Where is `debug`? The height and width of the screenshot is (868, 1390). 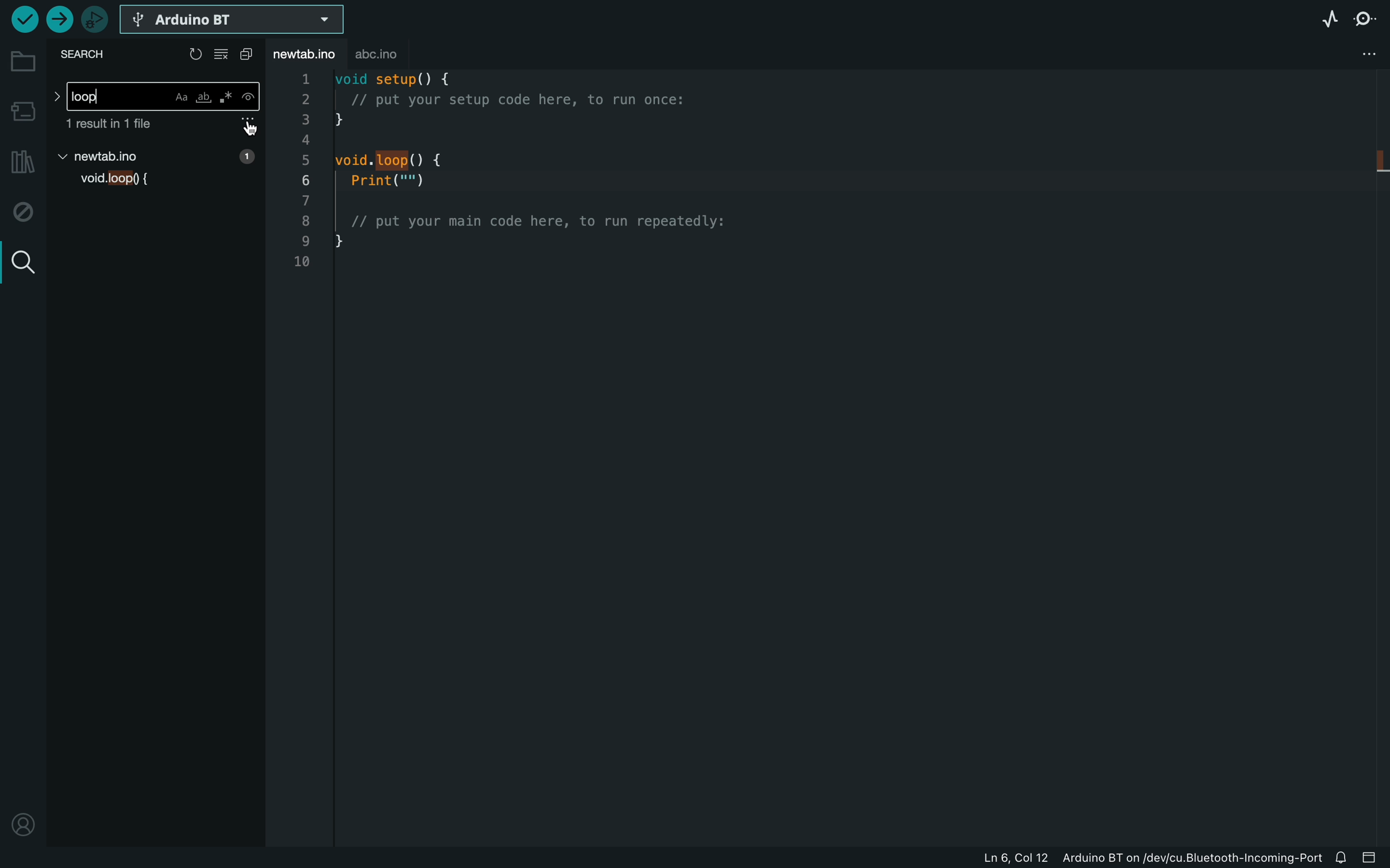 debug is located at coordinates (25, 212).